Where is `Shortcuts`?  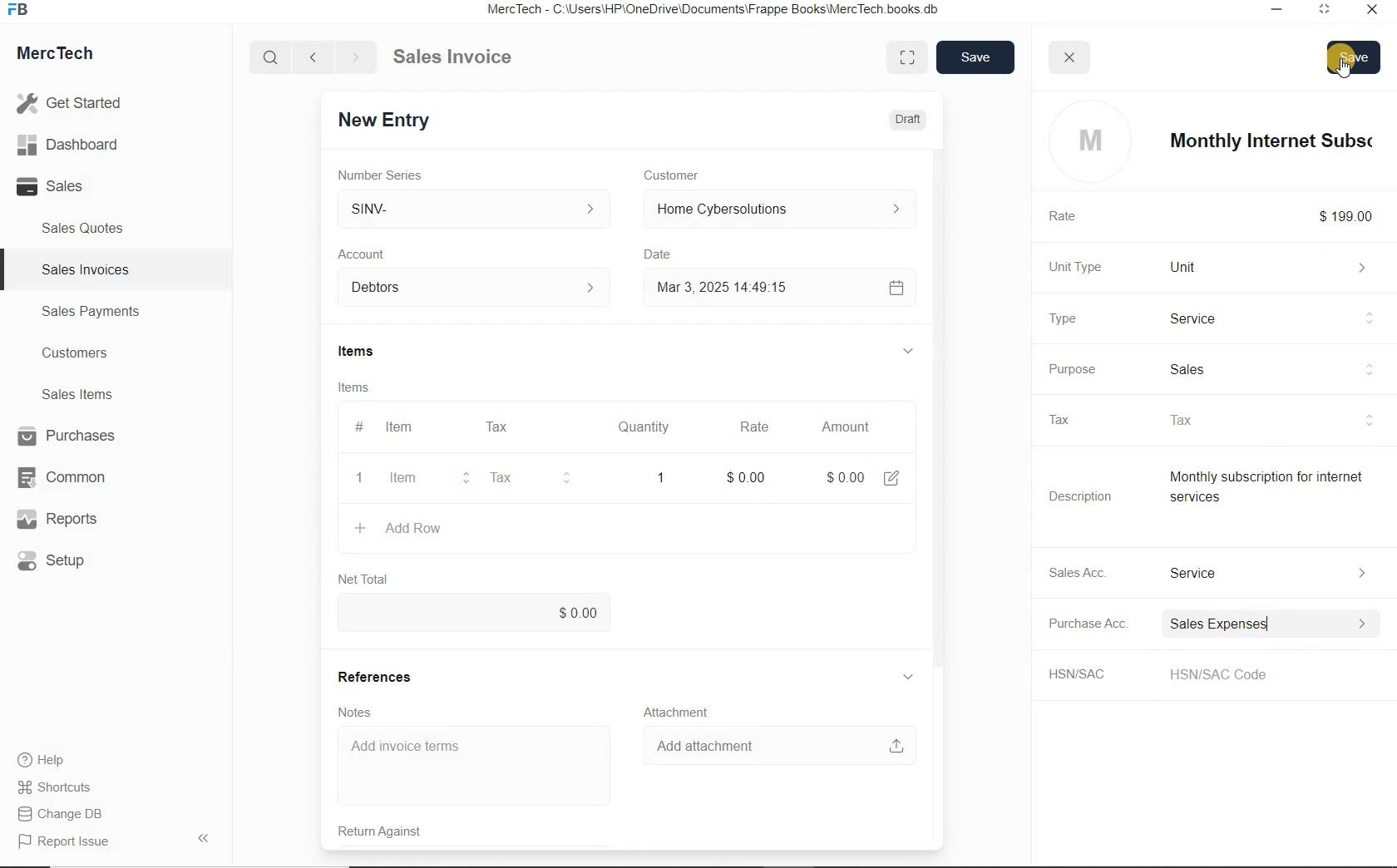 Shortcuts is located at coordinates (62, 788).